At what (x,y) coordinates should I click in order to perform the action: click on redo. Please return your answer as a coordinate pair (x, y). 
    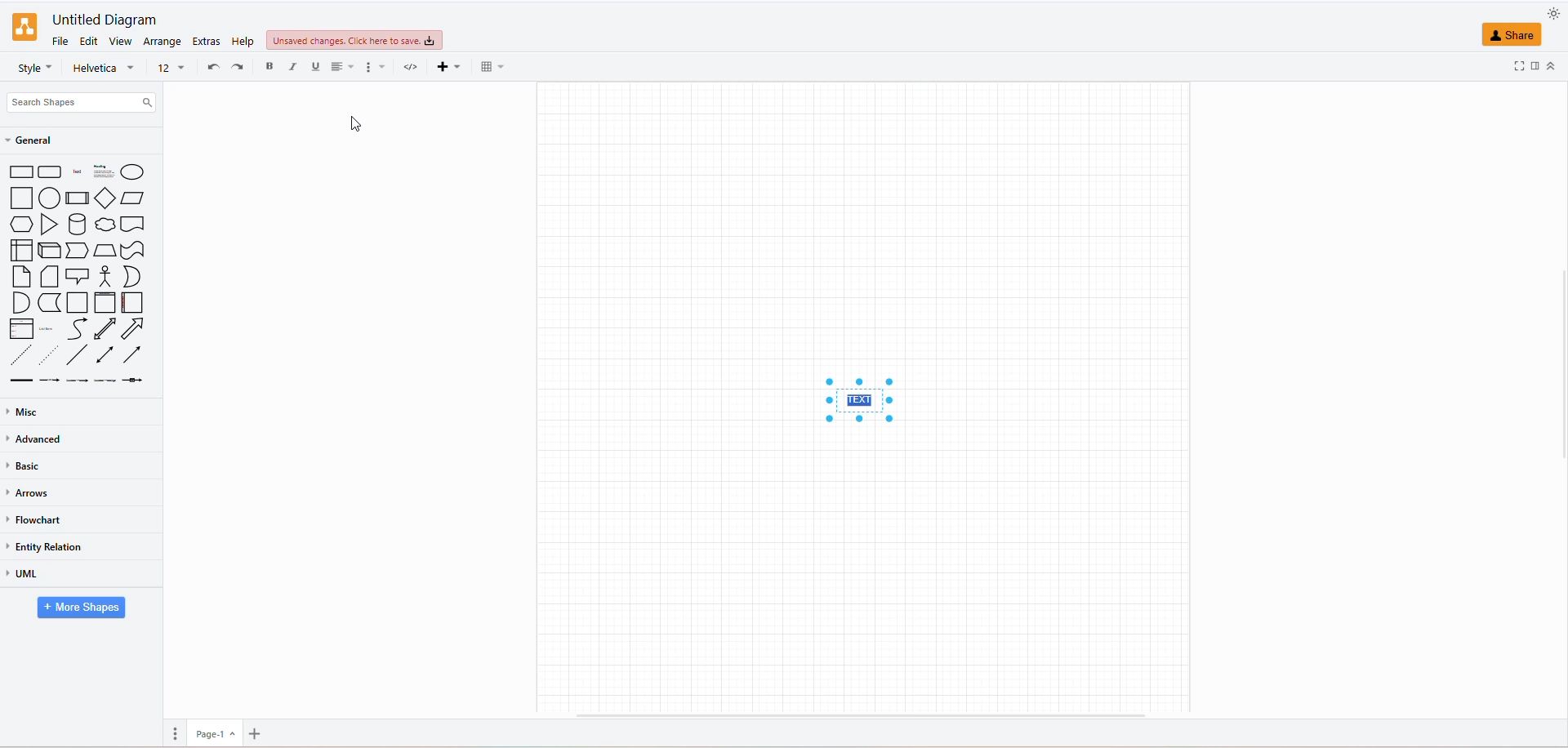
    Looking at the image, I should click on (238, 66).